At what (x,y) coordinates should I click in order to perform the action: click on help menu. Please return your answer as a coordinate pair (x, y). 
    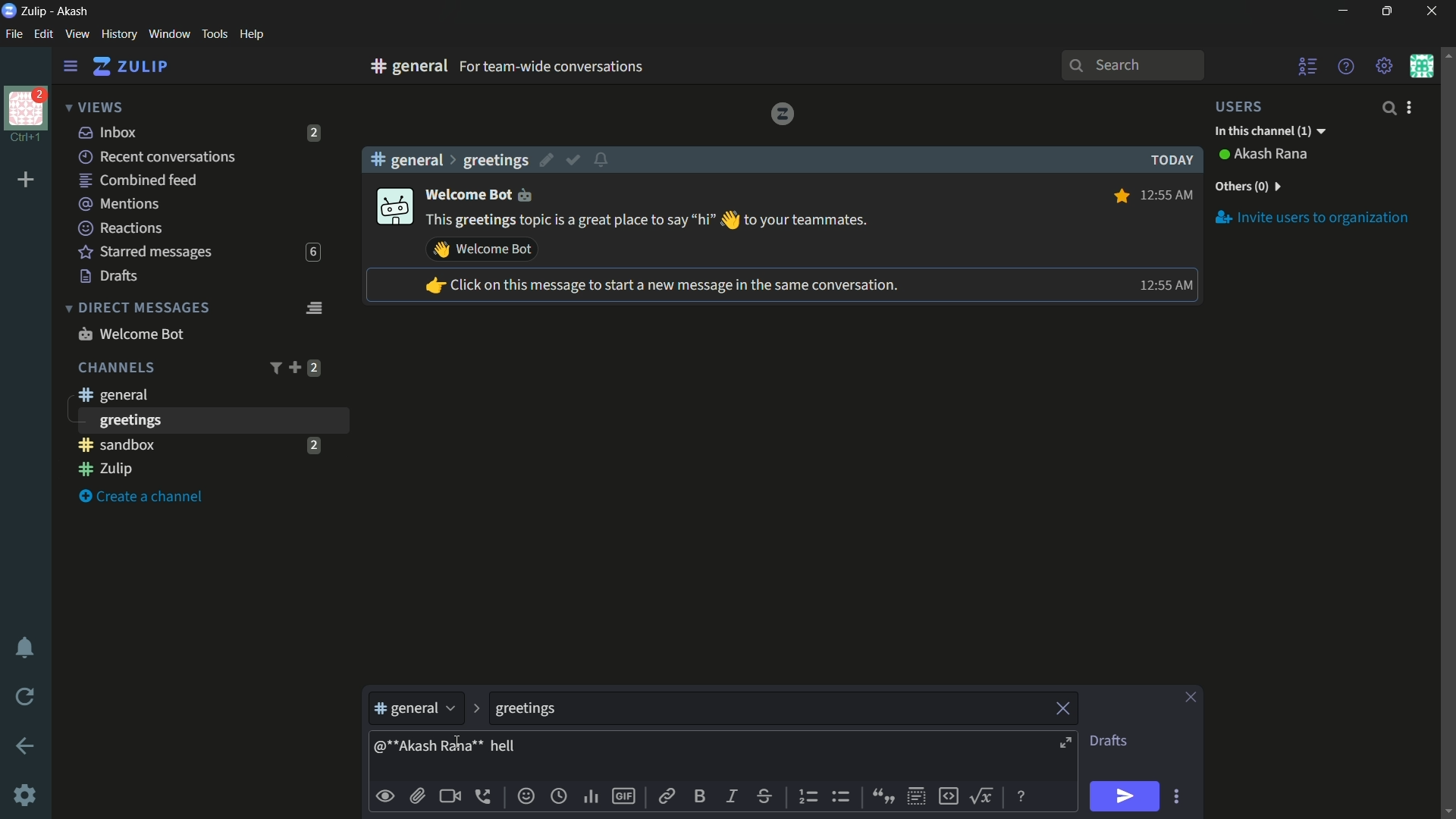
    Looking at the image, I should click on (1345, 66).